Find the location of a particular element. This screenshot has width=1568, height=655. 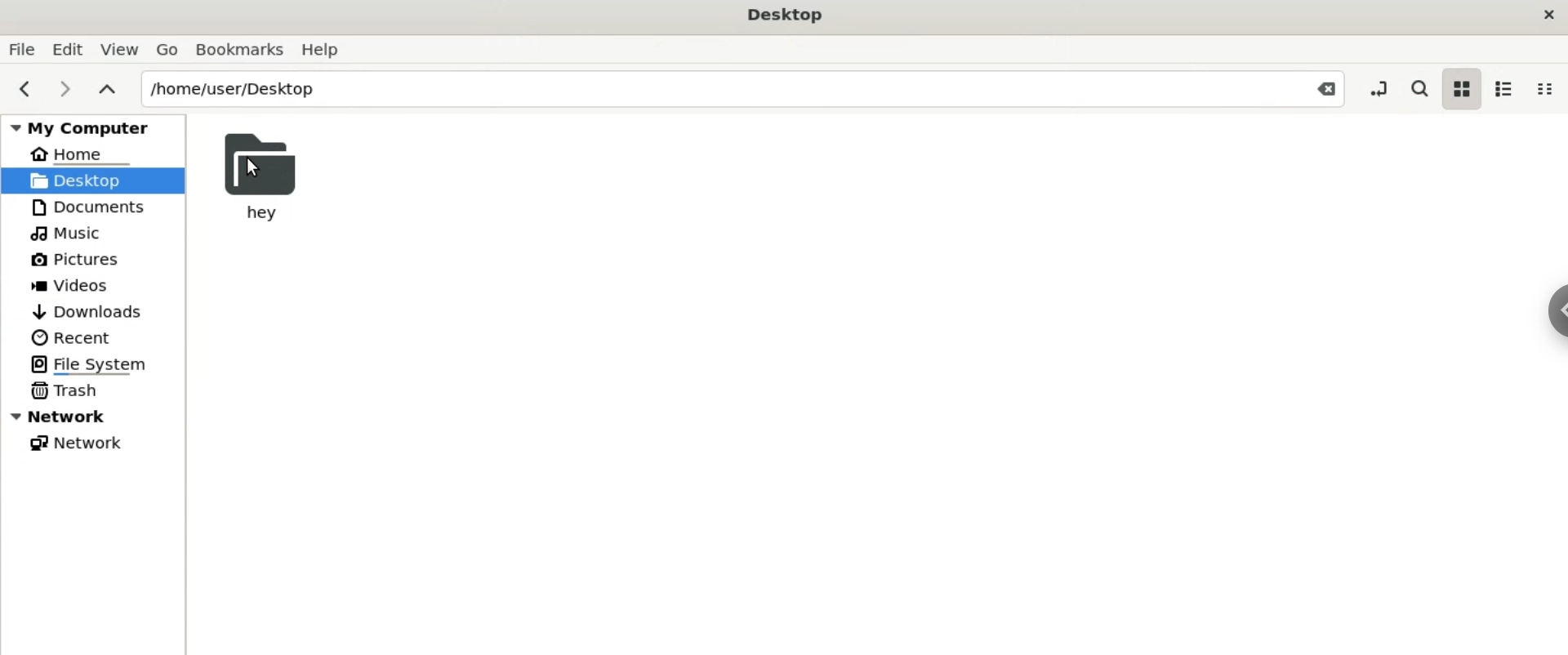

desktop is located at coordinates (786, 16).